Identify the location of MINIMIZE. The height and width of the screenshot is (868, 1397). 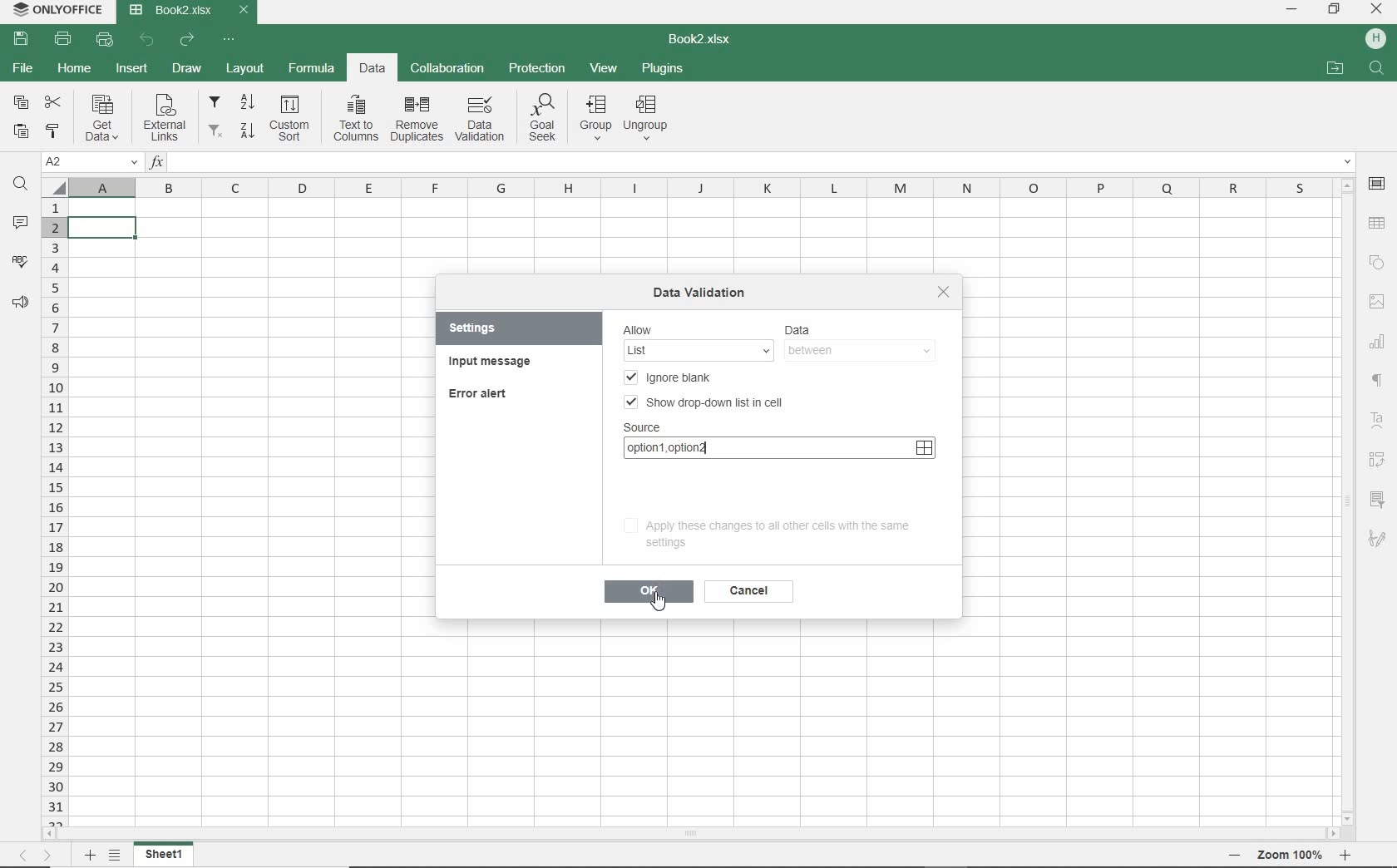
(1291, 8).